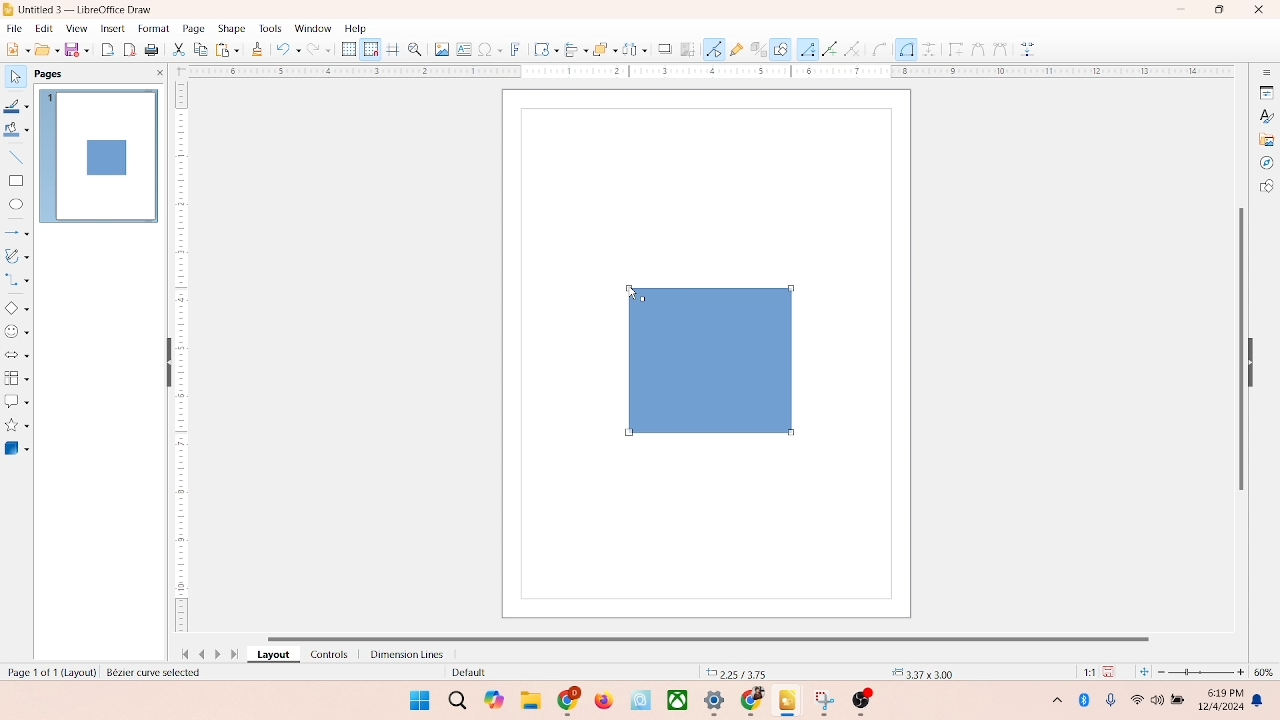 The width and height of the screenshot is (1280, 720). Describe the element at coordinates (181, 652) in the screenshot. I see `first page` at that location.